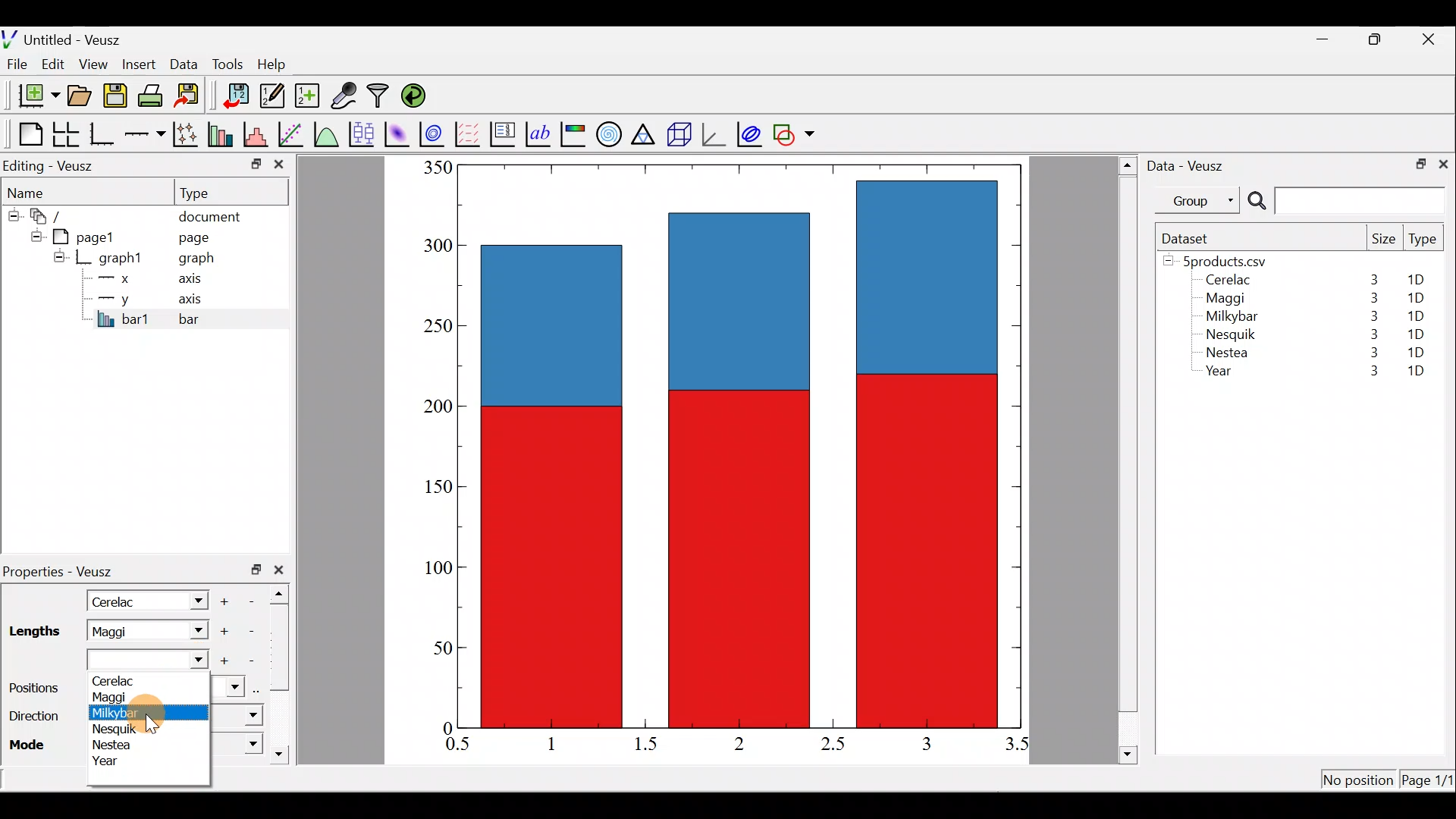 This screenshot has height=819, width=1456. What do you see at coordinates (250, 631) in the screenshot?
I see `remove item` at bounding box center [250, 631].